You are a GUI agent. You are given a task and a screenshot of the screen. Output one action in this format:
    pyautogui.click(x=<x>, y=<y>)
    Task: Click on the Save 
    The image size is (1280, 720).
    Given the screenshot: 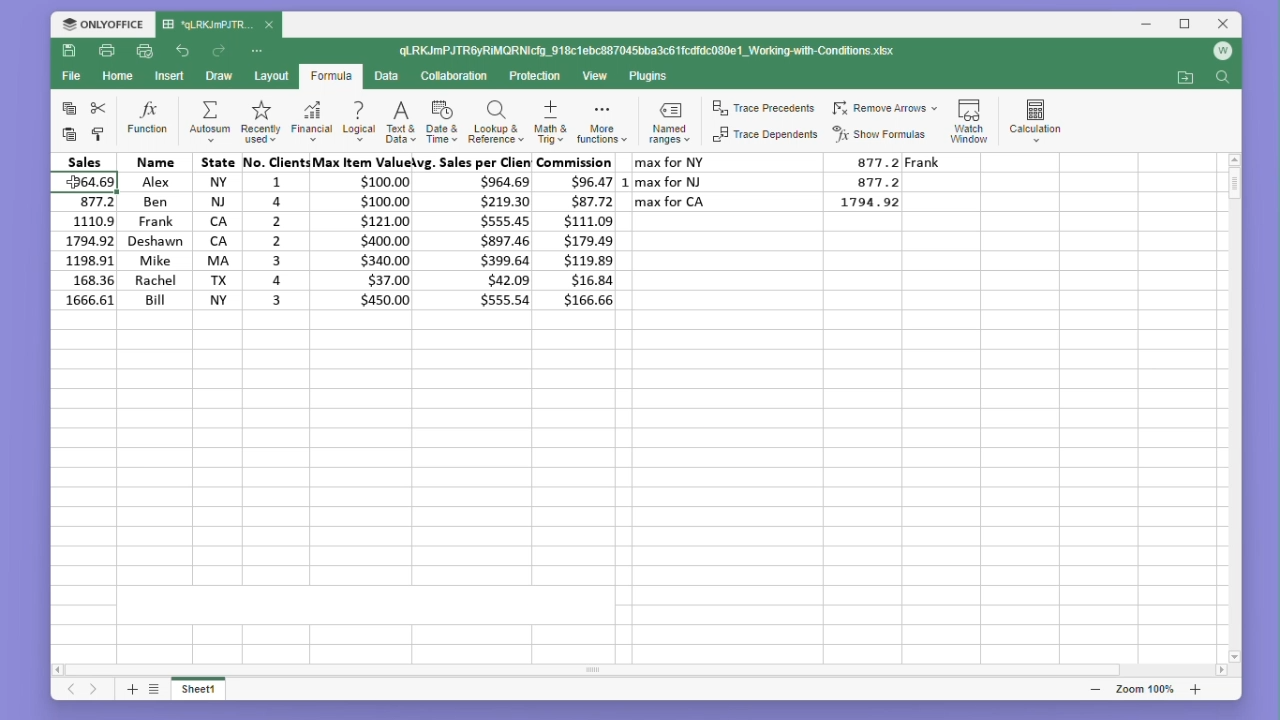 What is the action you would take?
    pyautogui.click(x=68, y=50)
    